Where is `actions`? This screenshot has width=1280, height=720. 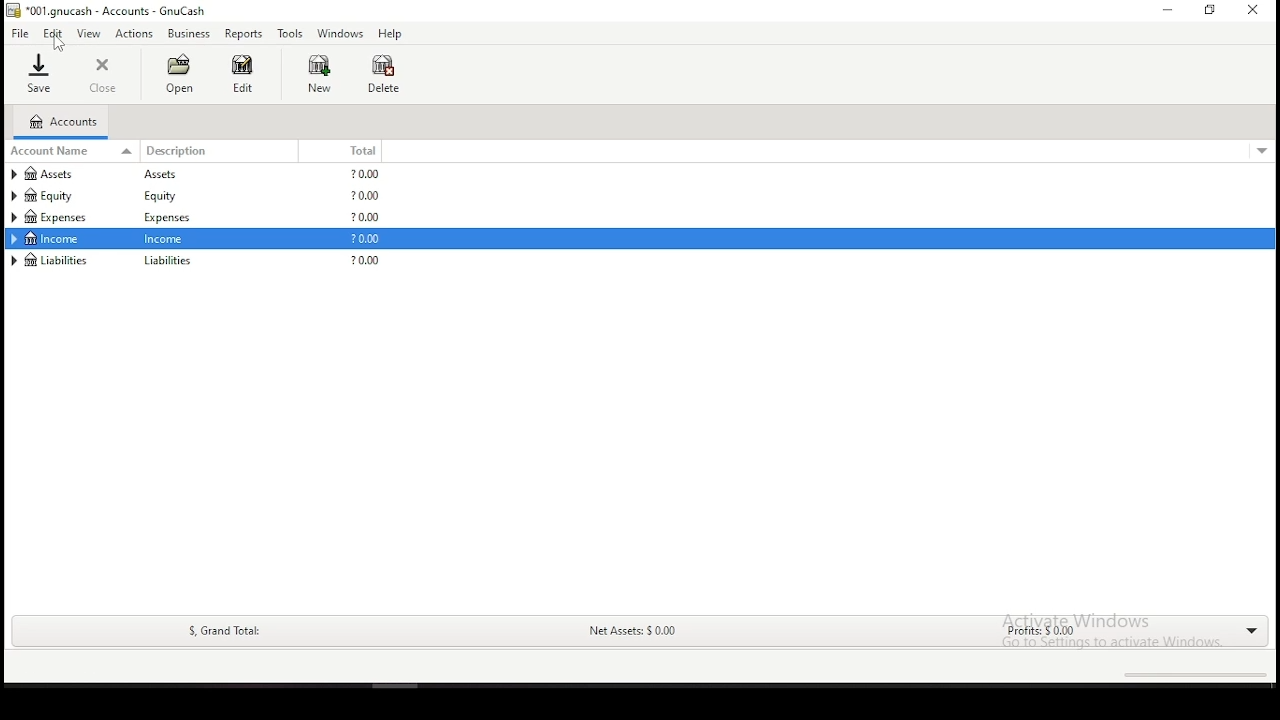 actions is located at coordinates (135, 34).